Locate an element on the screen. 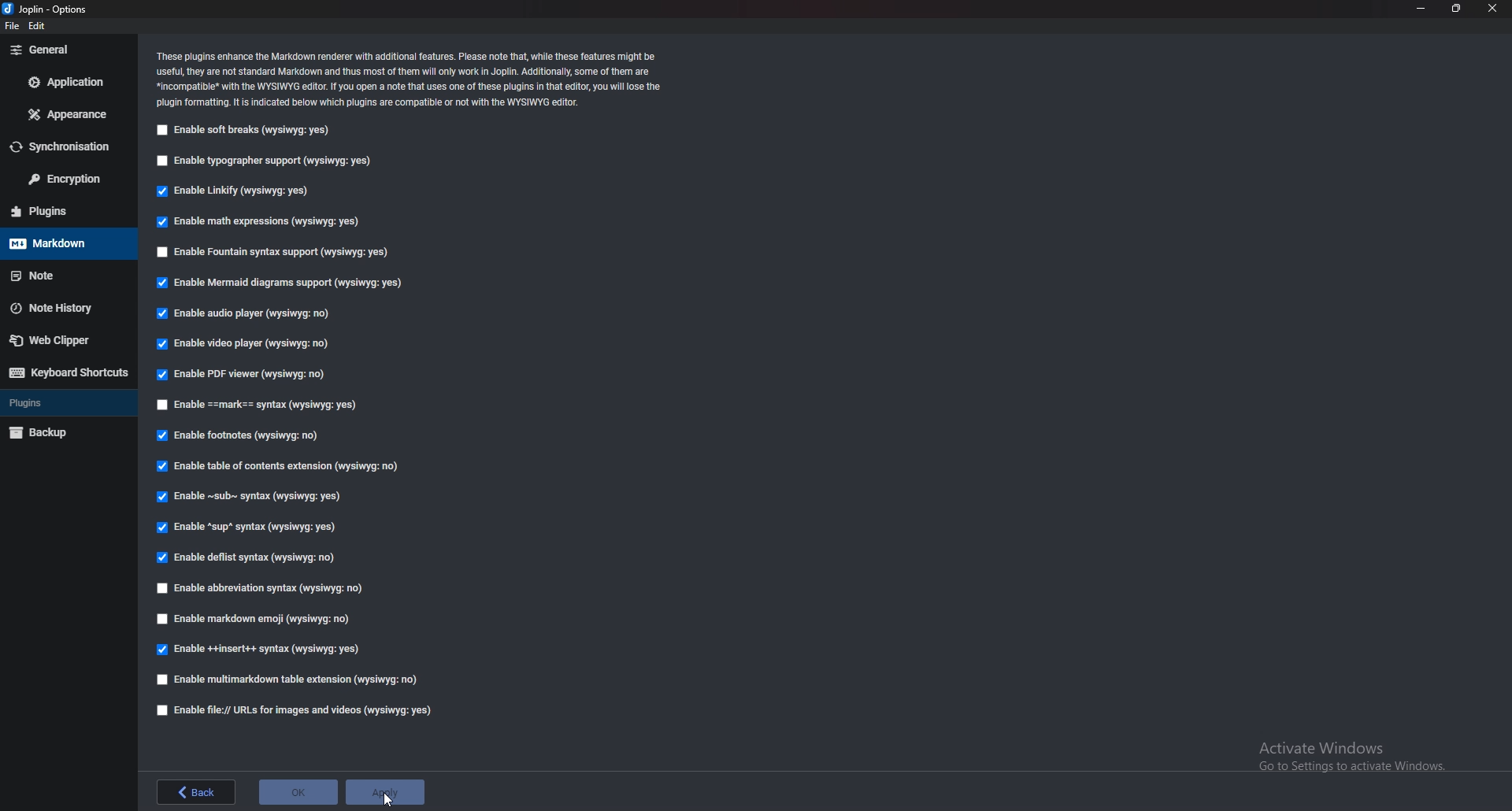  Enable Mark Syntax is located at coordinates (258, 405).